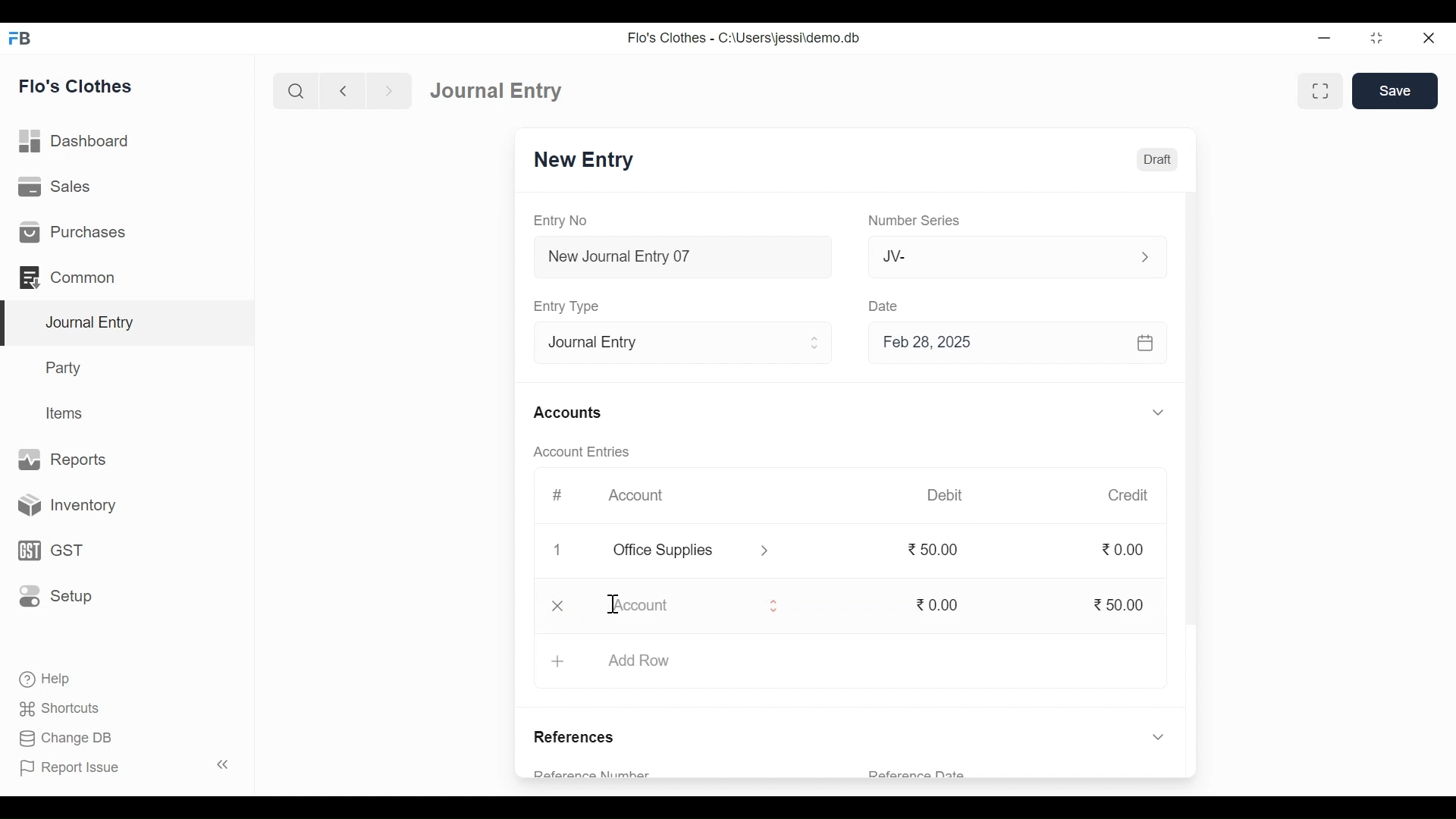 This screenshot has height=819, width=1456. I want to click on Setup, so click(55, 595).